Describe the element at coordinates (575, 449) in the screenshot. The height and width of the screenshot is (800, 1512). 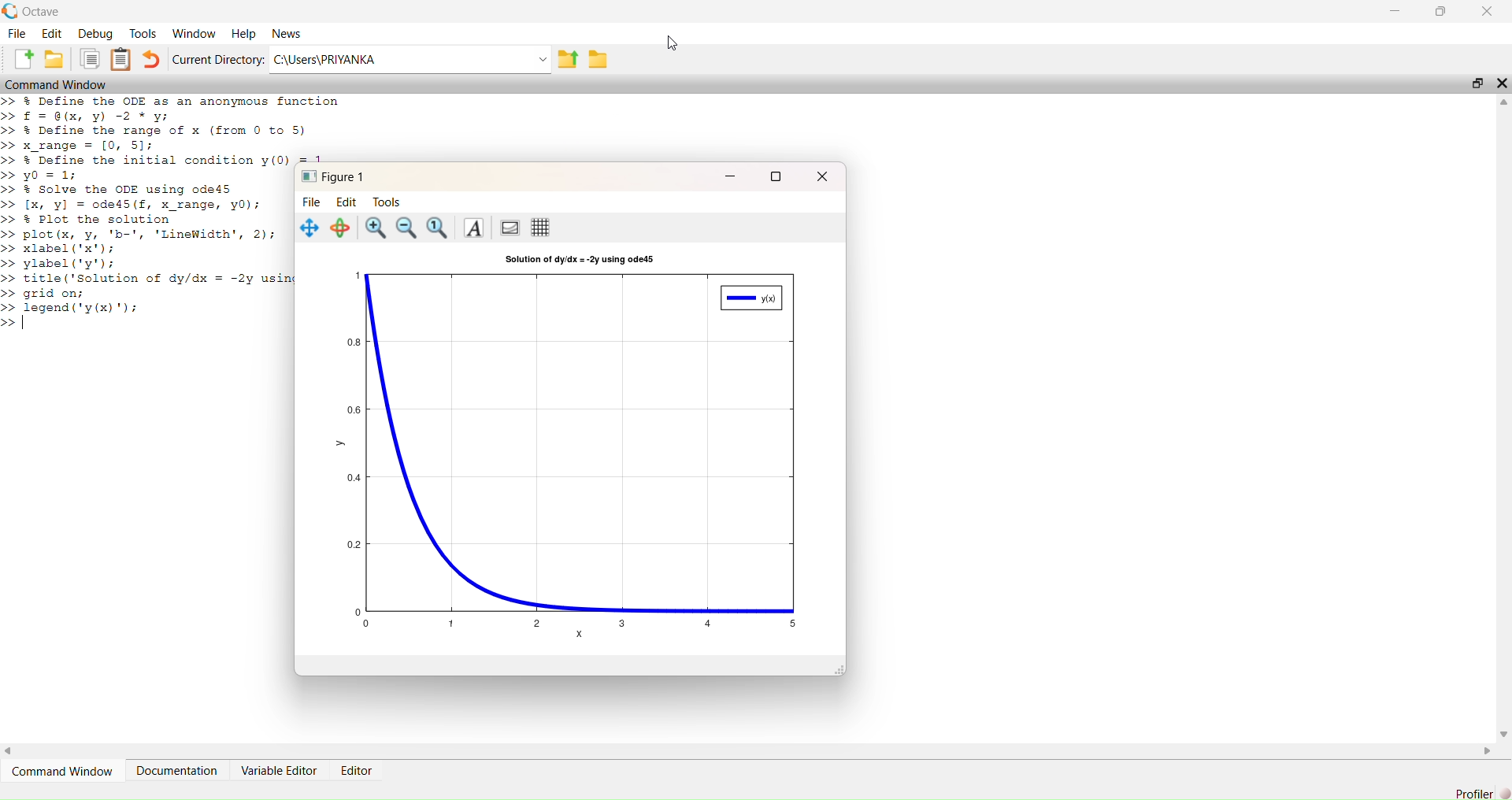
I see `graph` at that location.